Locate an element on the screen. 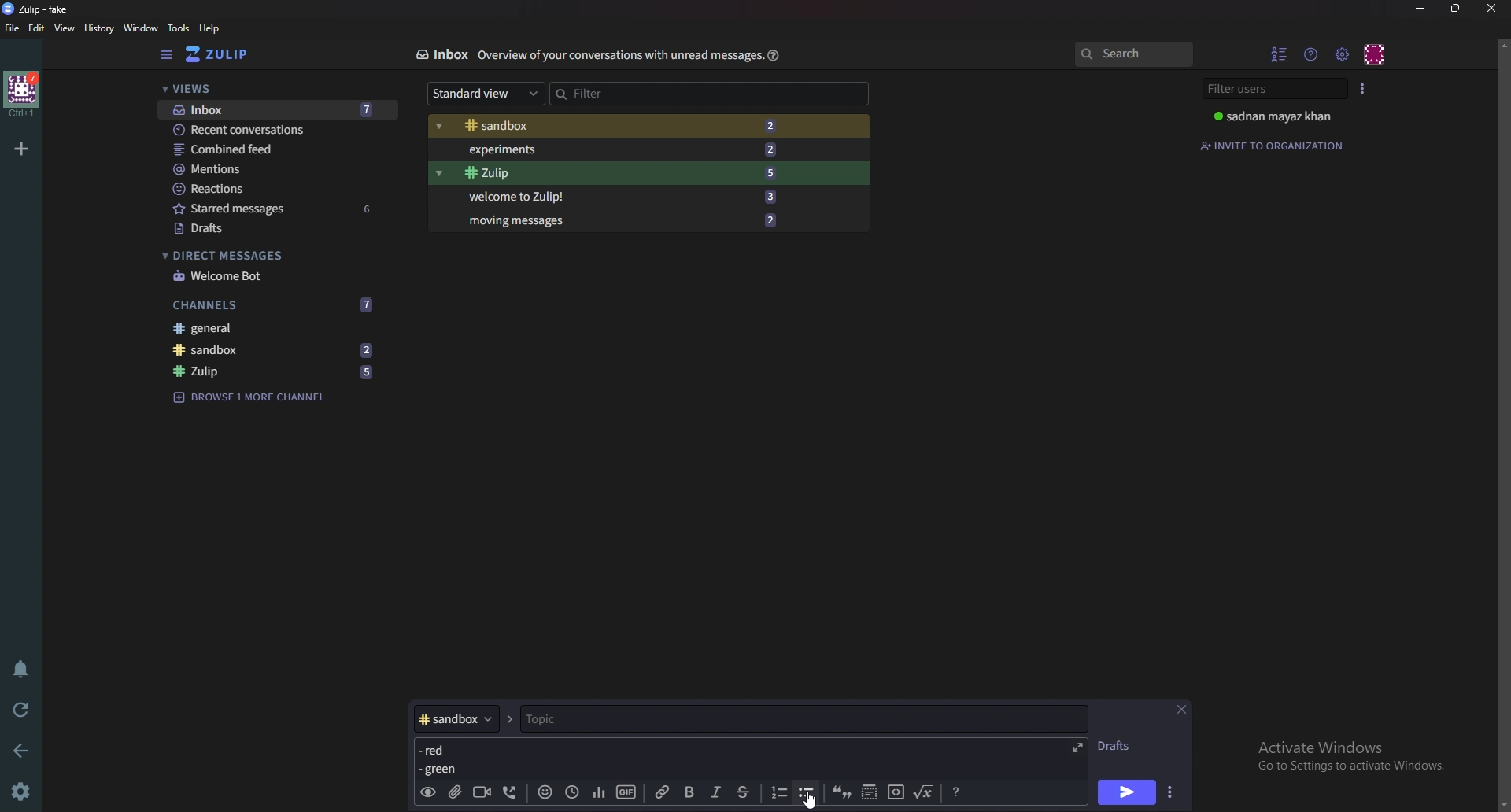 This screenshot has width=1511, height=812. Edit is located at coordinates (37, 28).